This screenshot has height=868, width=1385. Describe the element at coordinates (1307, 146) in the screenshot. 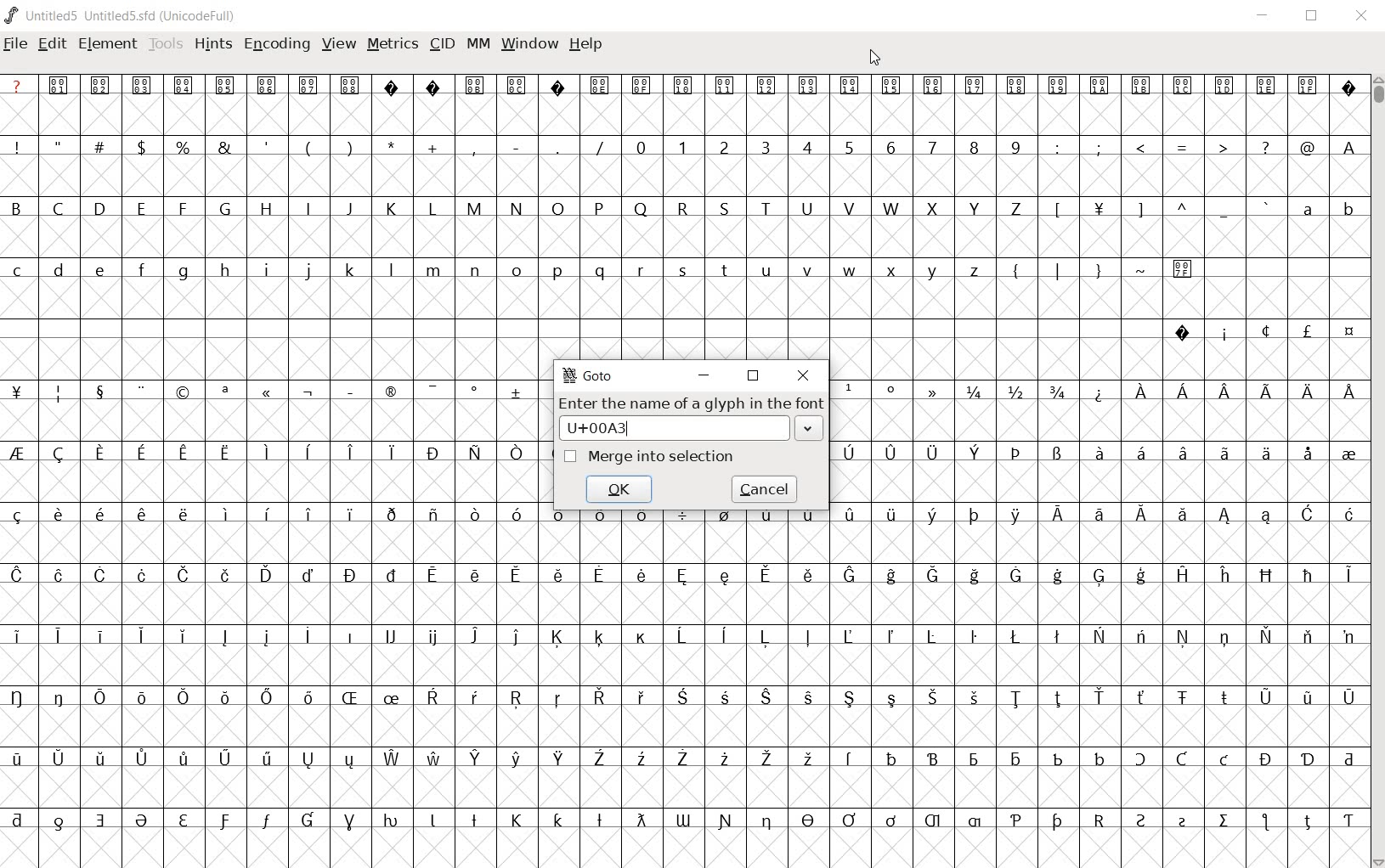

I see `@` at that location.